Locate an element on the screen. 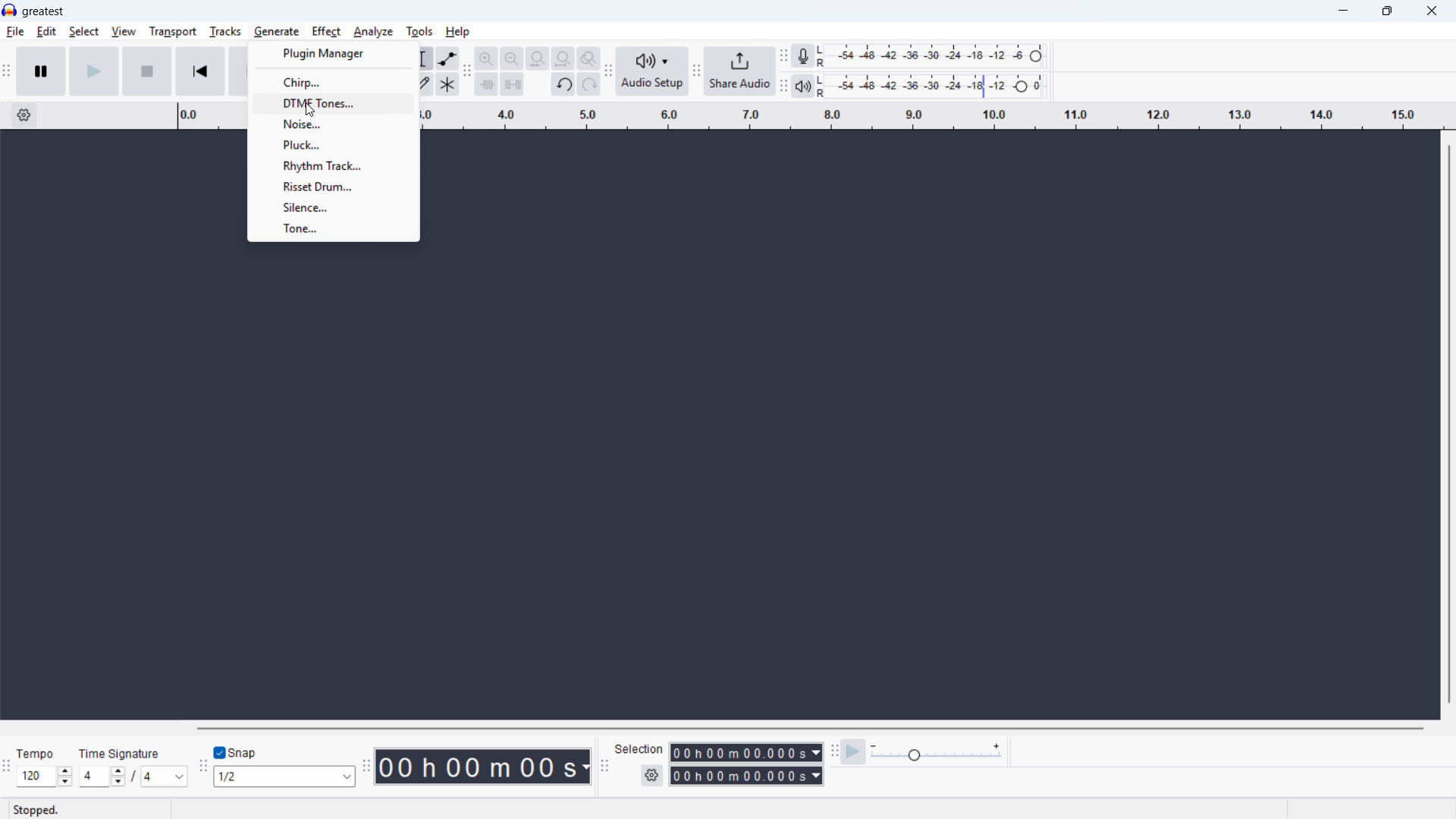 The image size is (1456, 819). Selection toolbar  is located at coordinates (605, 767).